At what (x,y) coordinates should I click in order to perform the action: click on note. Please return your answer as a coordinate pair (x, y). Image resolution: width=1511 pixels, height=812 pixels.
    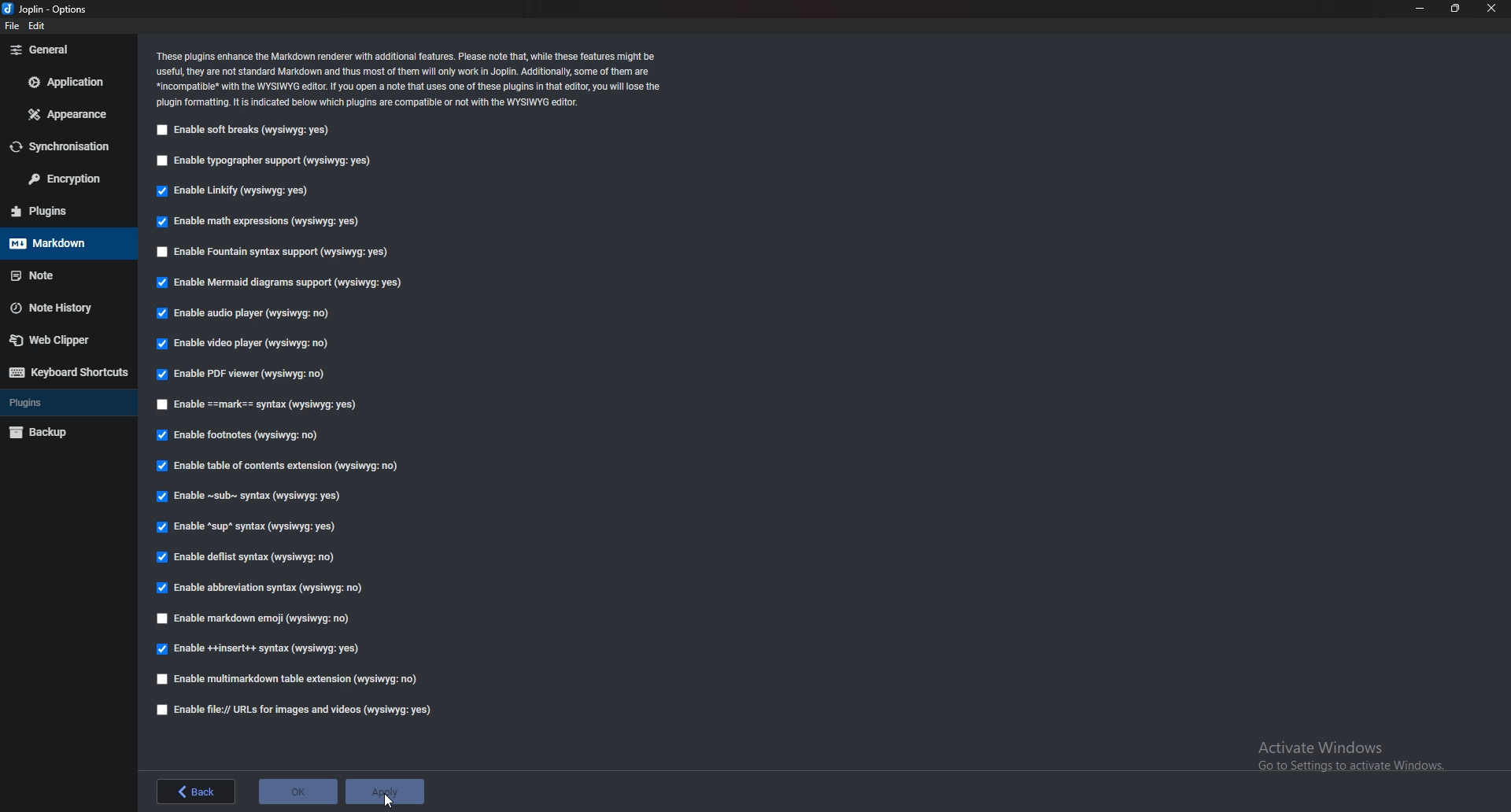
    Looking at the image, I should click on (64, 275).